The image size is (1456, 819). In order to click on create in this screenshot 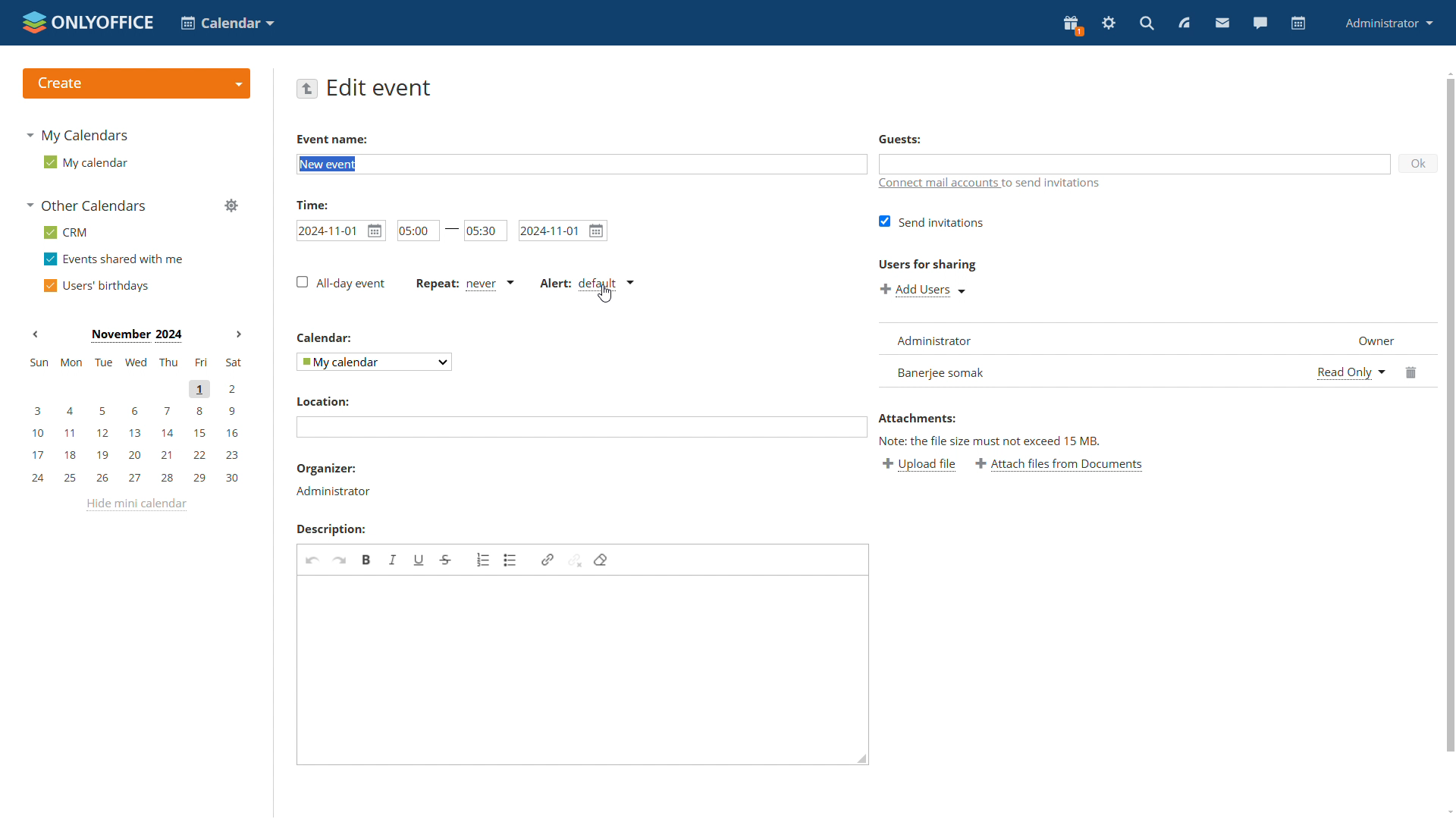, I will do `click(136, 83)`.